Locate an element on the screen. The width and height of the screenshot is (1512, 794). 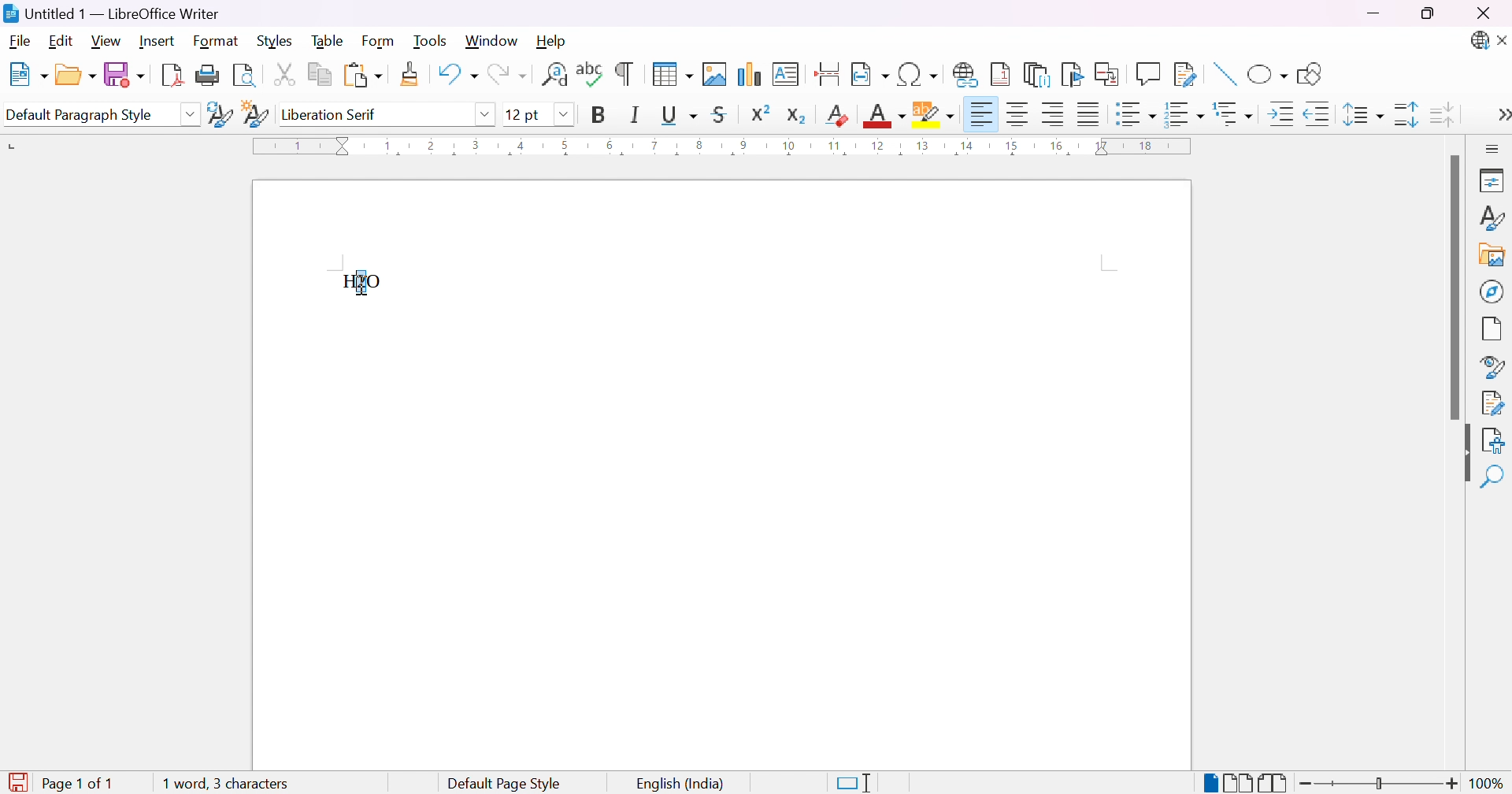
Zoom in is located at coordinates (1451, 785).